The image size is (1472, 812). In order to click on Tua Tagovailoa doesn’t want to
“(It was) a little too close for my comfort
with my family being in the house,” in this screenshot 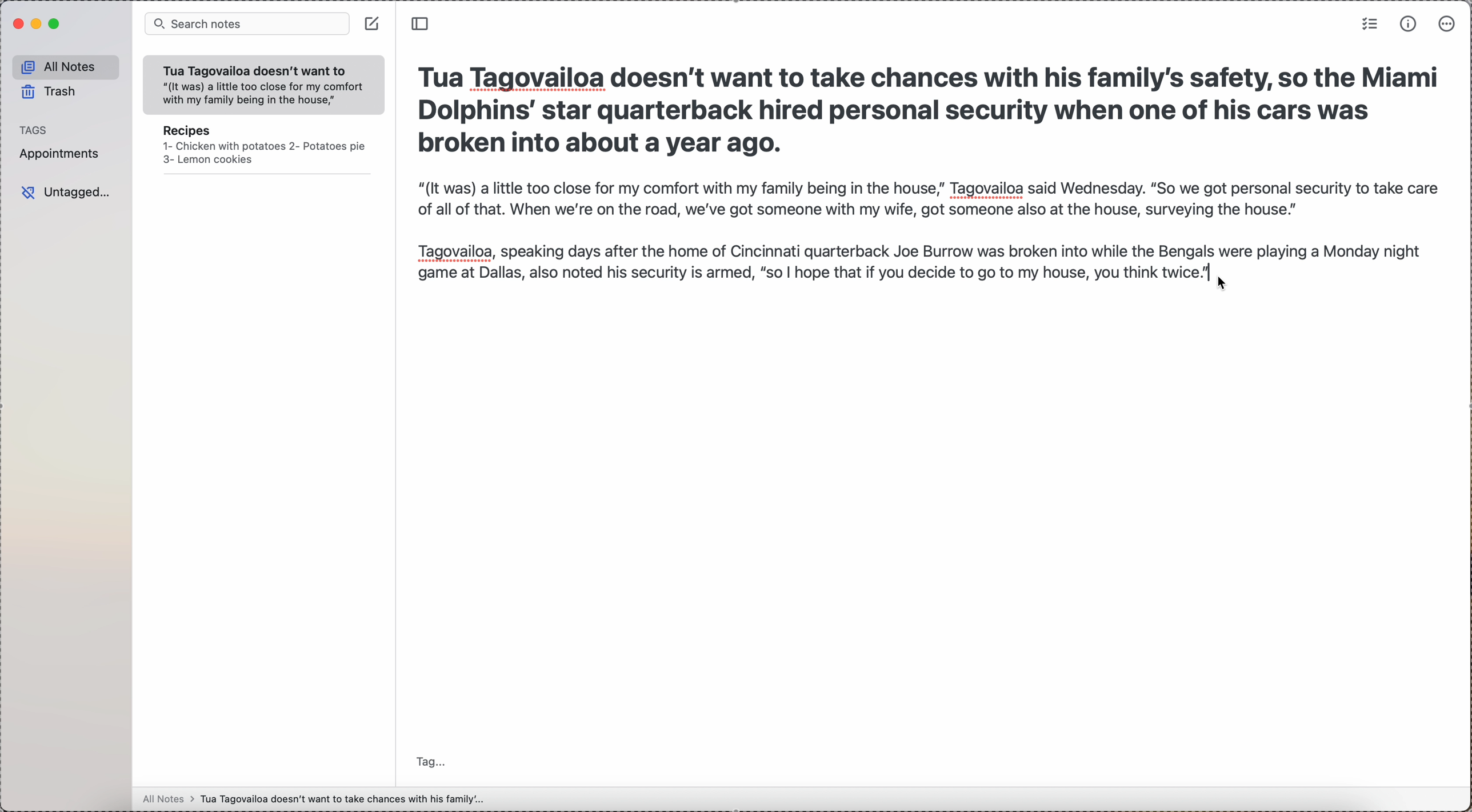, I will do `click(258, 83)`.